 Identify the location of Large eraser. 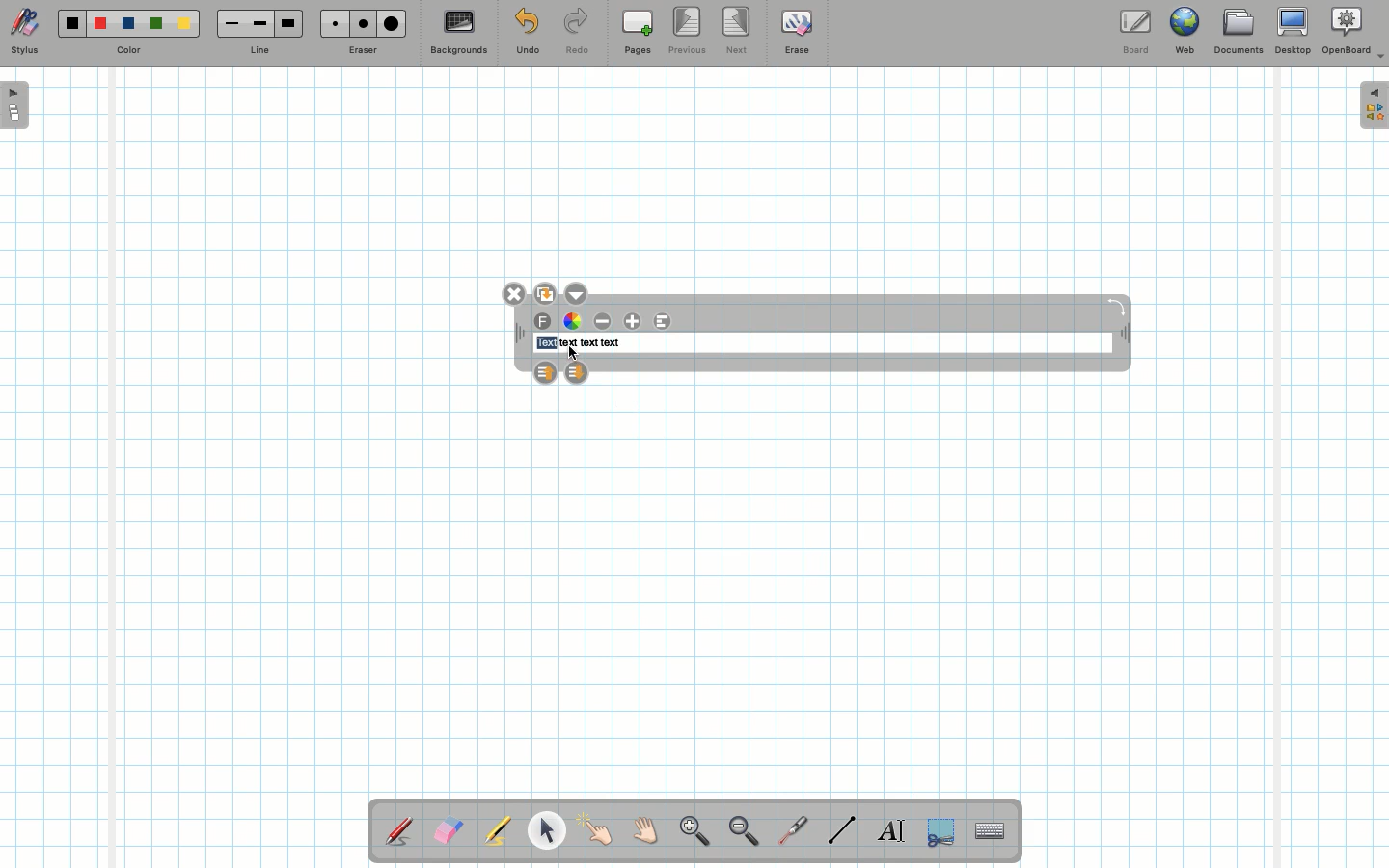
(392, 23).